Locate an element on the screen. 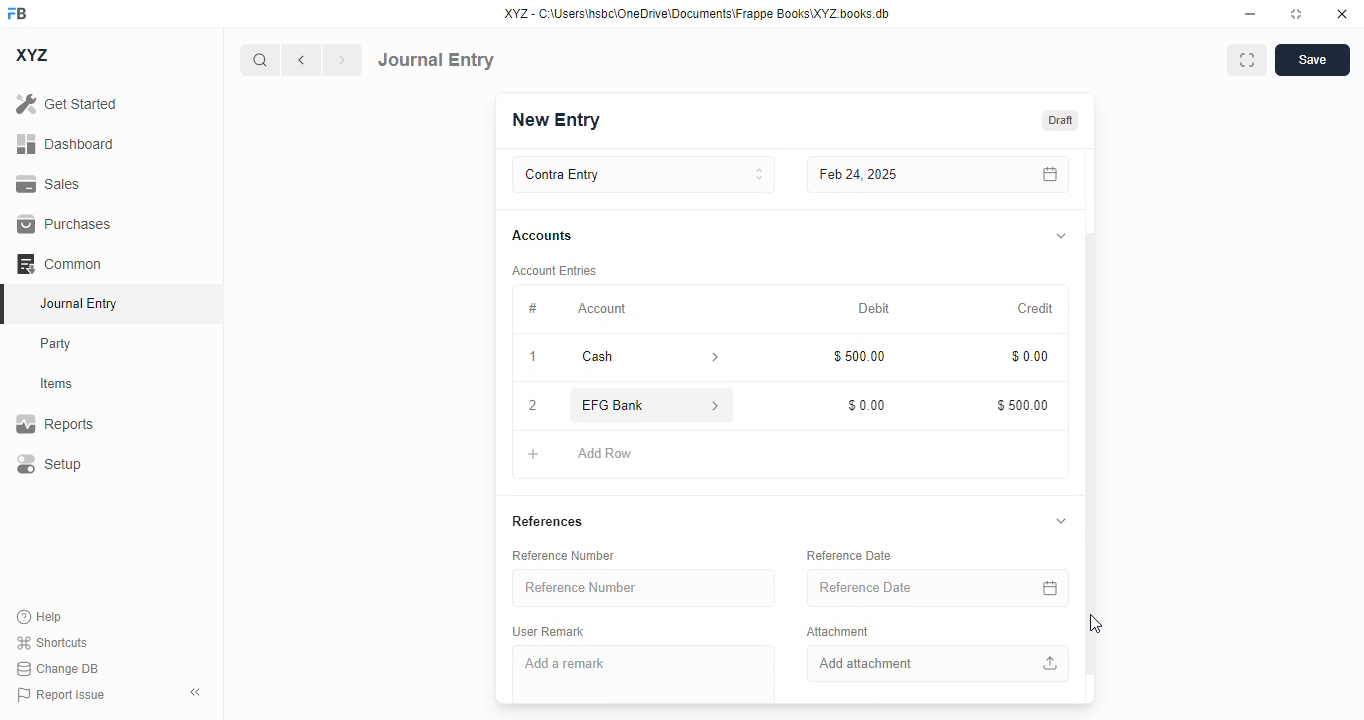 The height and width of the screenshot is (720, 1364). credit is located at coordinates (1035, 308).